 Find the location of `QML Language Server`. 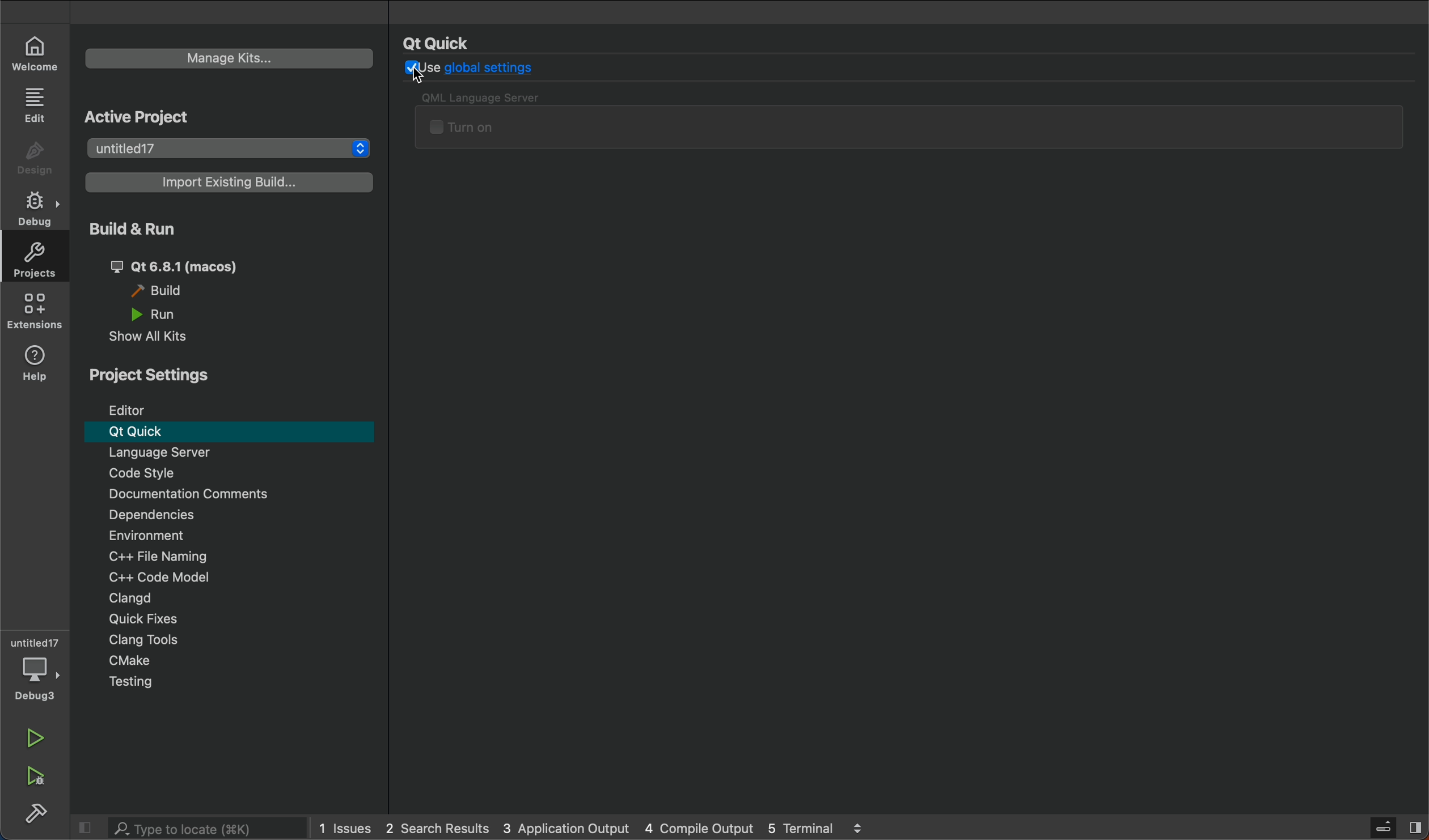

QML Language Server is located at coordinates (493, 96).